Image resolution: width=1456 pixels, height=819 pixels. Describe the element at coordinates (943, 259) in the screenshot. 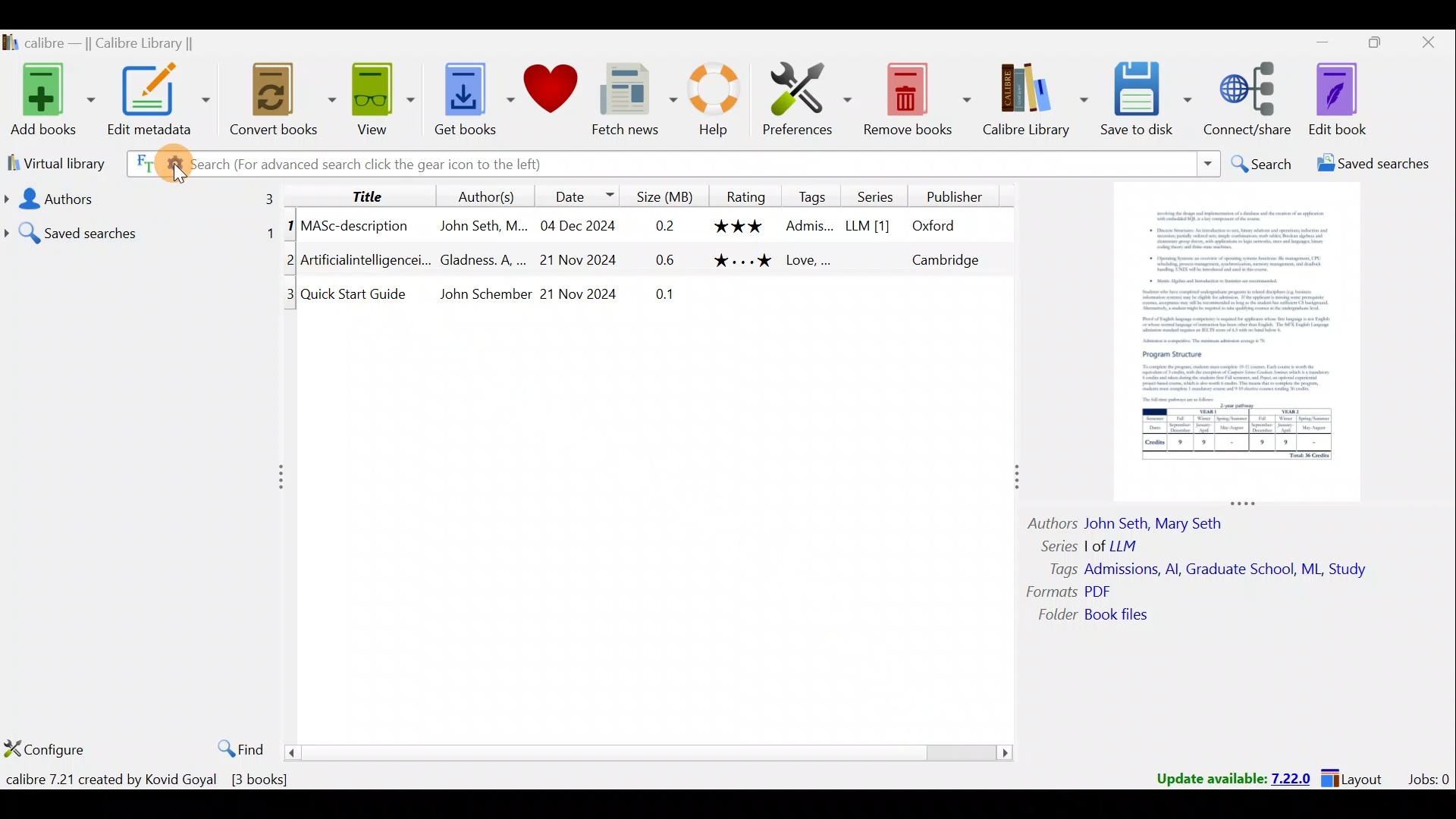

I see `Cambridge` at that location.